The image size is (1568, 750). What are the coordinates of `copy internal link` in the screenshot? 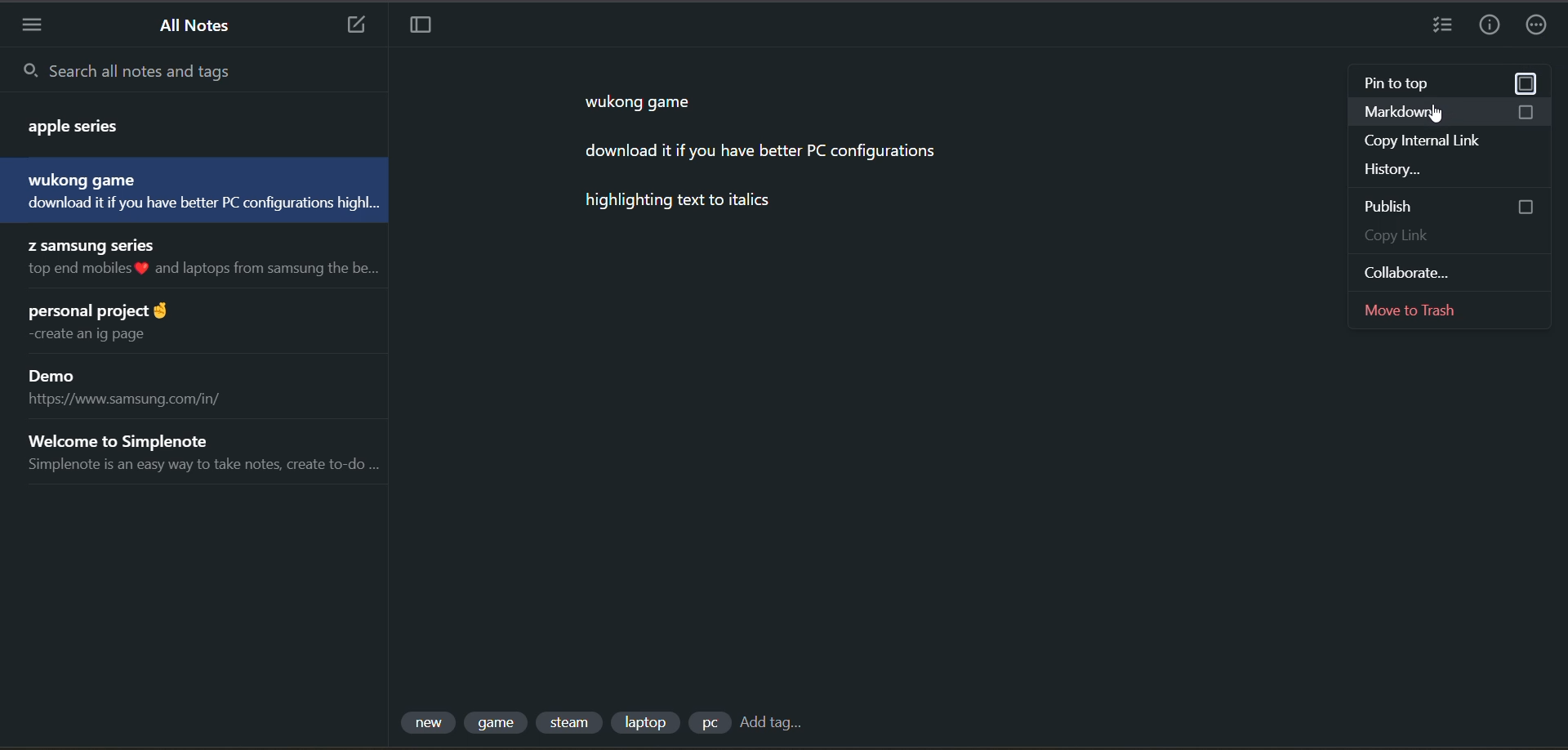 It's located at (1433, 141).